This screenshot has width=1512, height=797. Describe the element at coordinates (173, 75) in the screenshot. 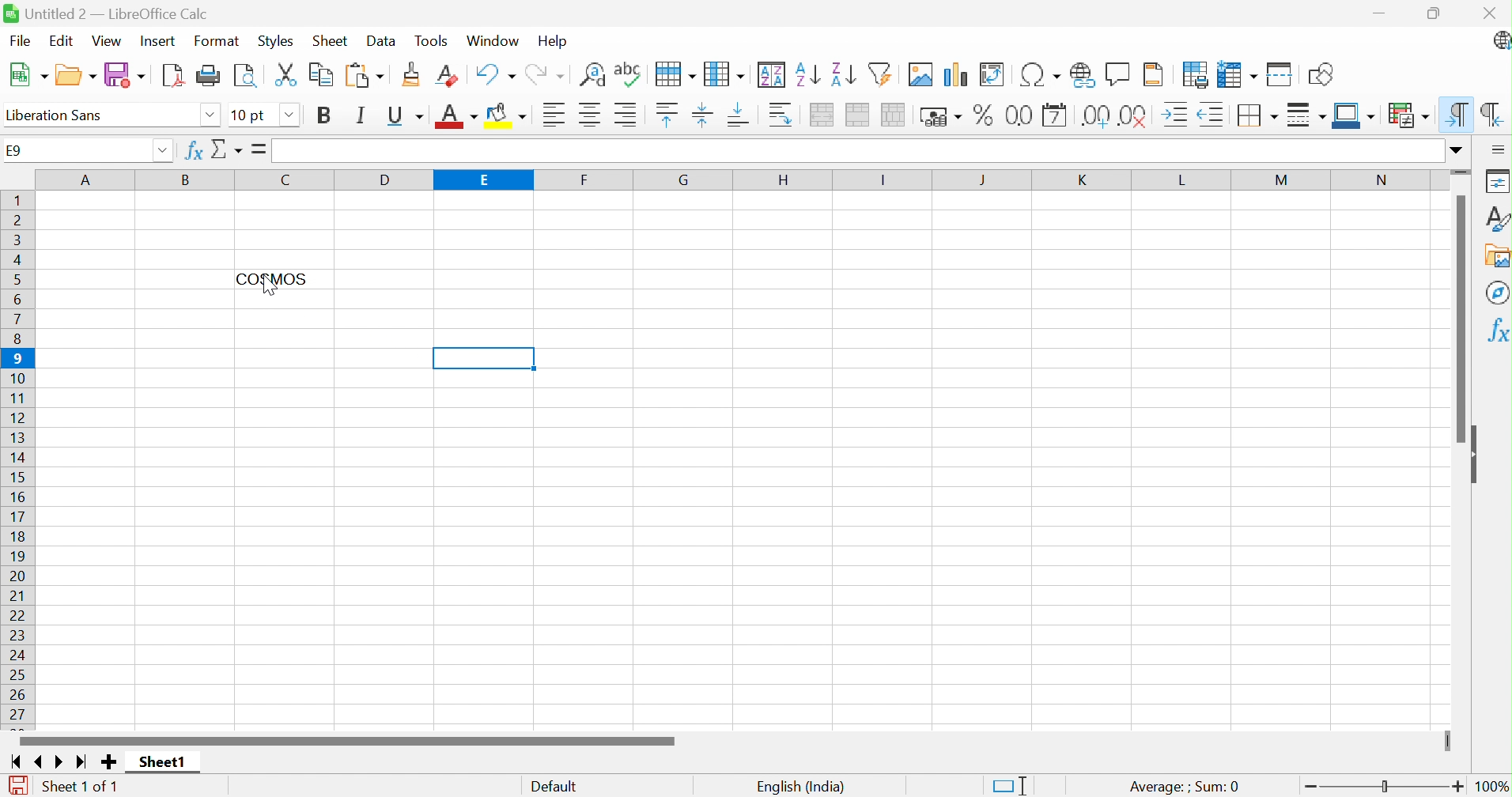

I see `Export as PDF` at that location.